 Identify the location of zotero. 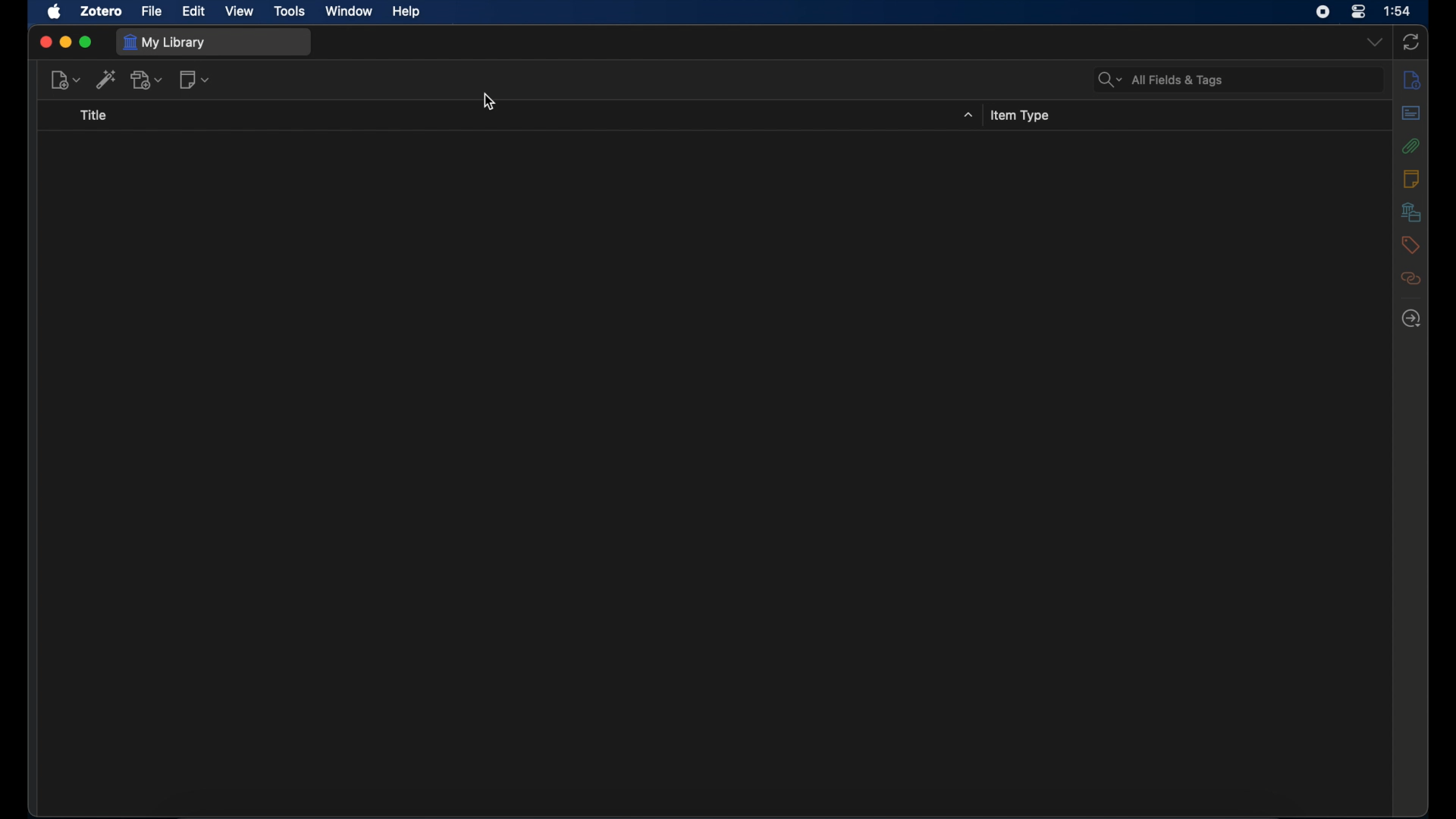
(101, 11).